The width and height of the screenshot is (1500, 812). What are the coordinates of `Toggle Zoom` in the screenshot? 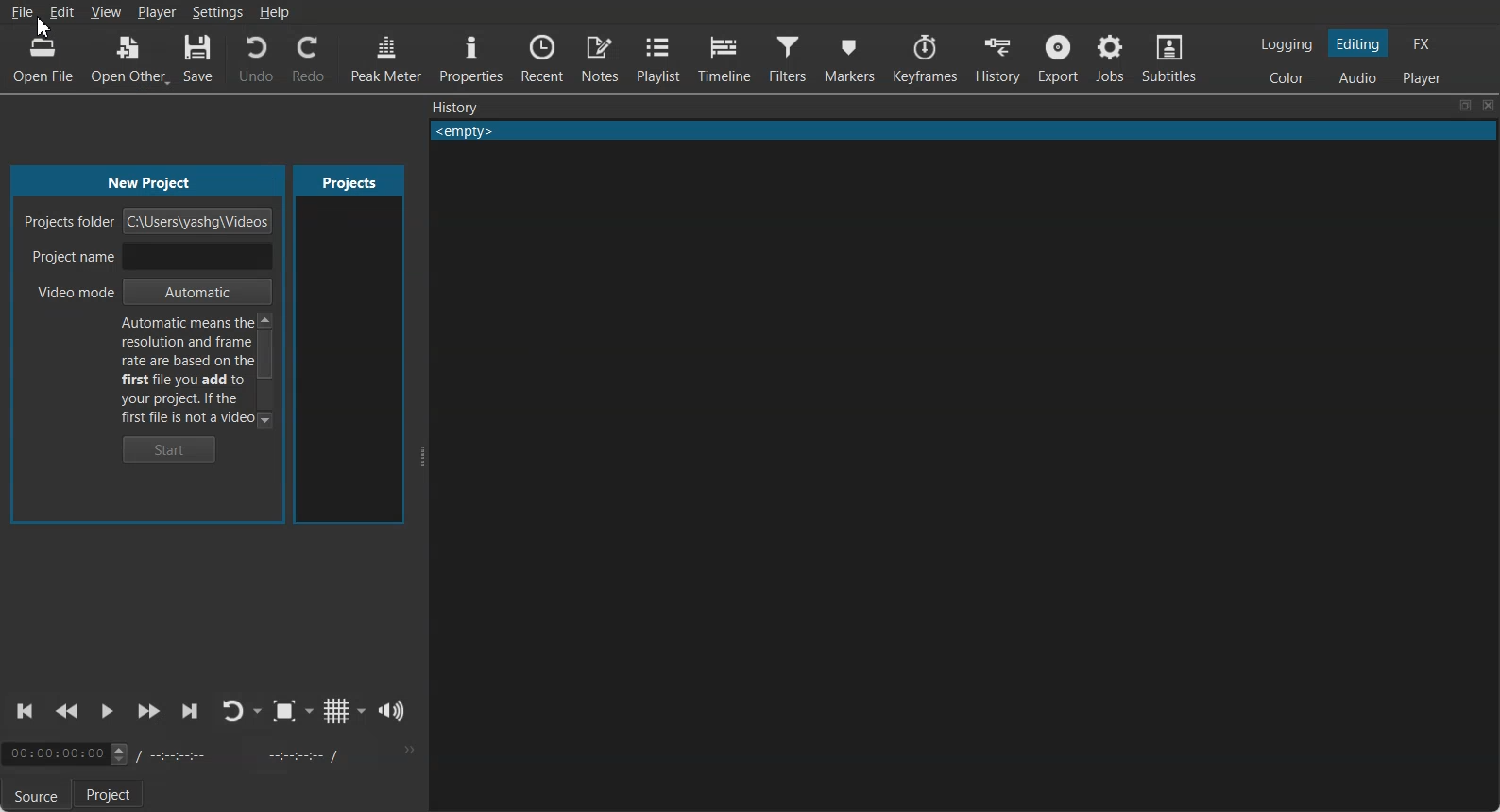 It's located at (284, 711).